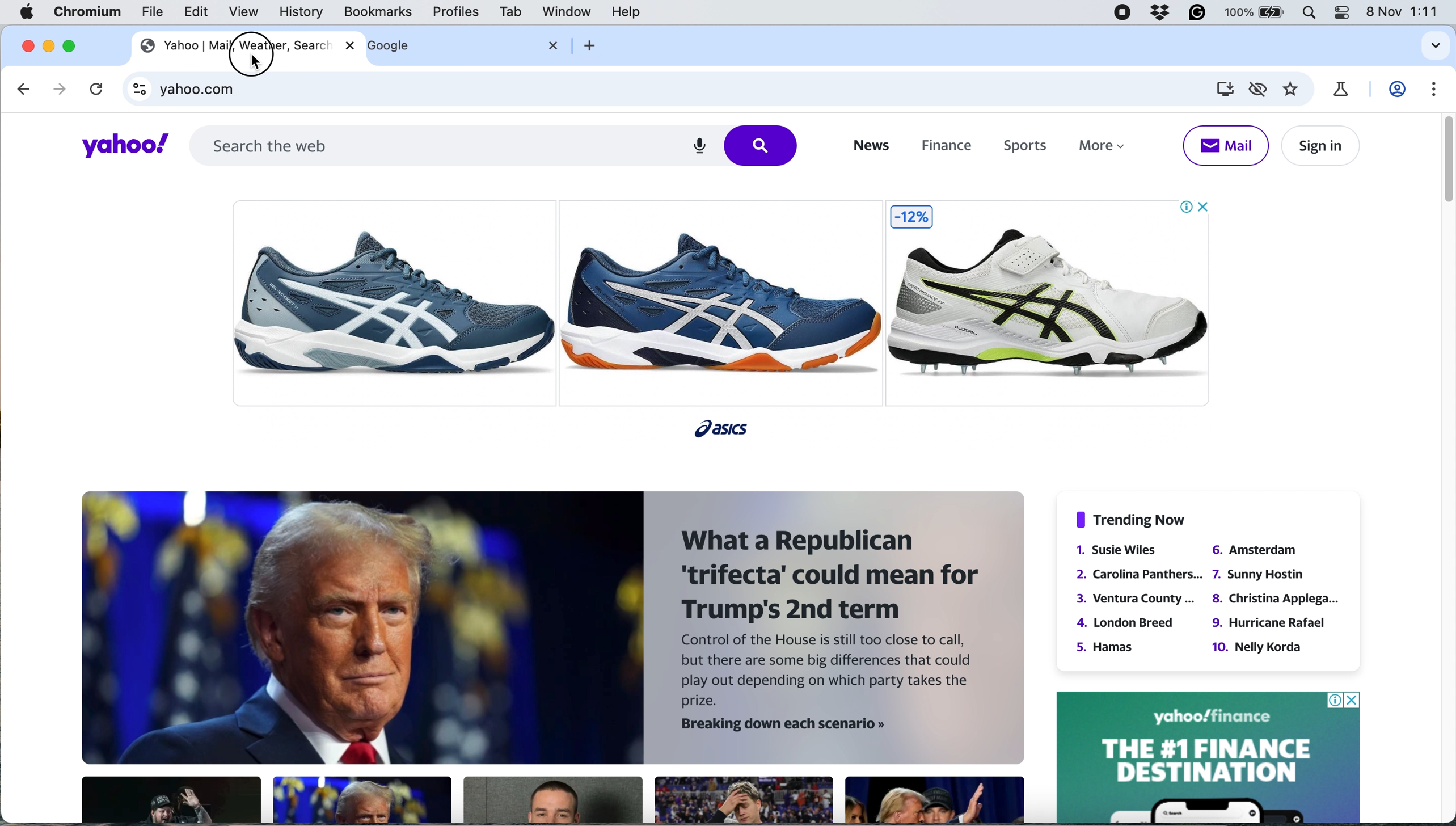 Image resolution: width=1456 pixels, height=826 pixels. What do you see at coordinates (1223, 88) in the screenshot?
I see `install yahoo` at bounding box center [1223, 88].